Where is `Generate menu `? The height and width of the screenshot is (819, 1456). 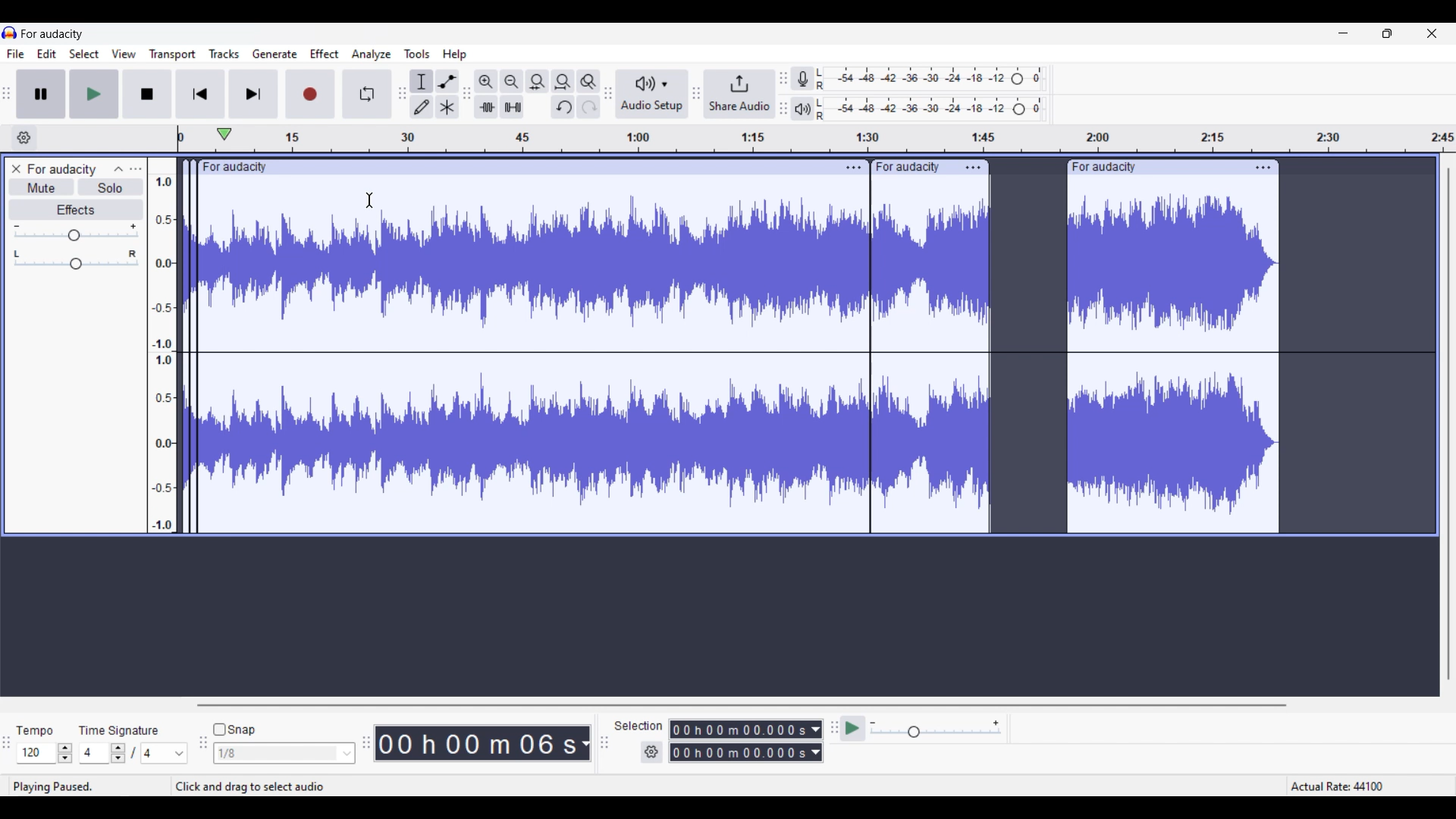
Generate menu  is located at coordinates (275, 55).